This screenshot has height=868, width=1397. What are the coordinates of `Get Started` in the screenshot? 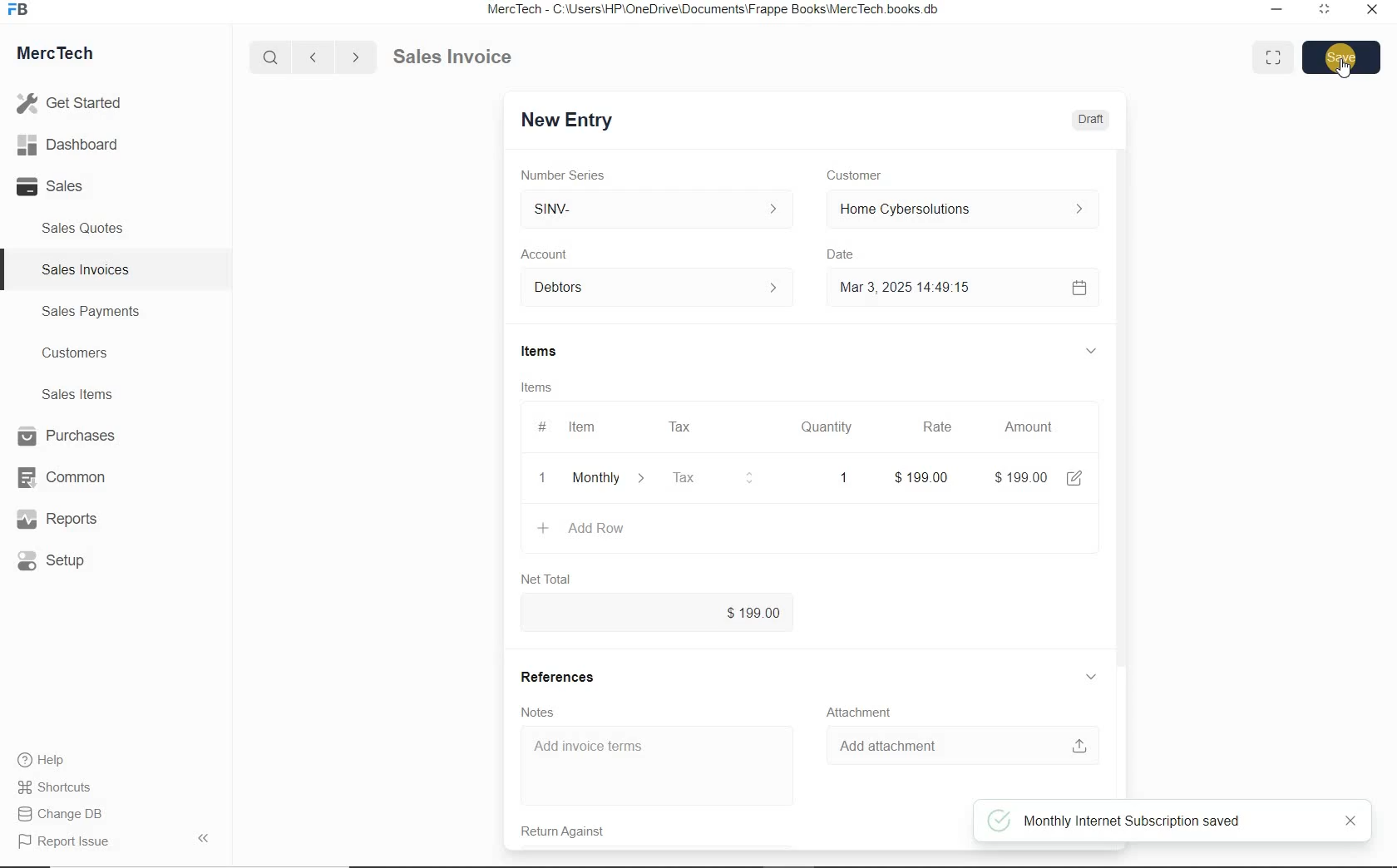 It's located at (75, 103).